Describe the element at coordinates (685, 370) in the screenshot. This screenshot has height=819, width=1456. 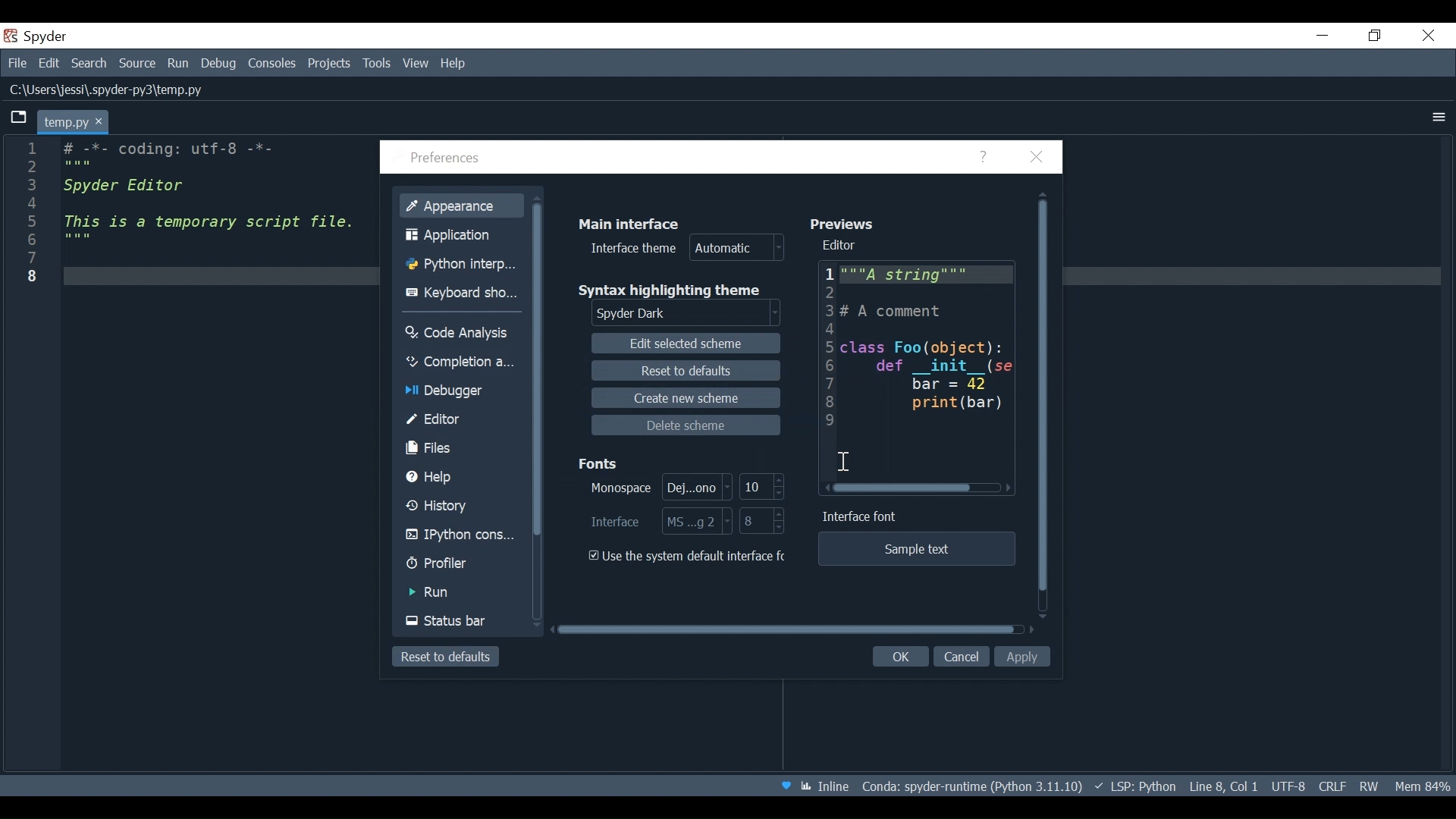
I see `Reset to defaults` at that location.